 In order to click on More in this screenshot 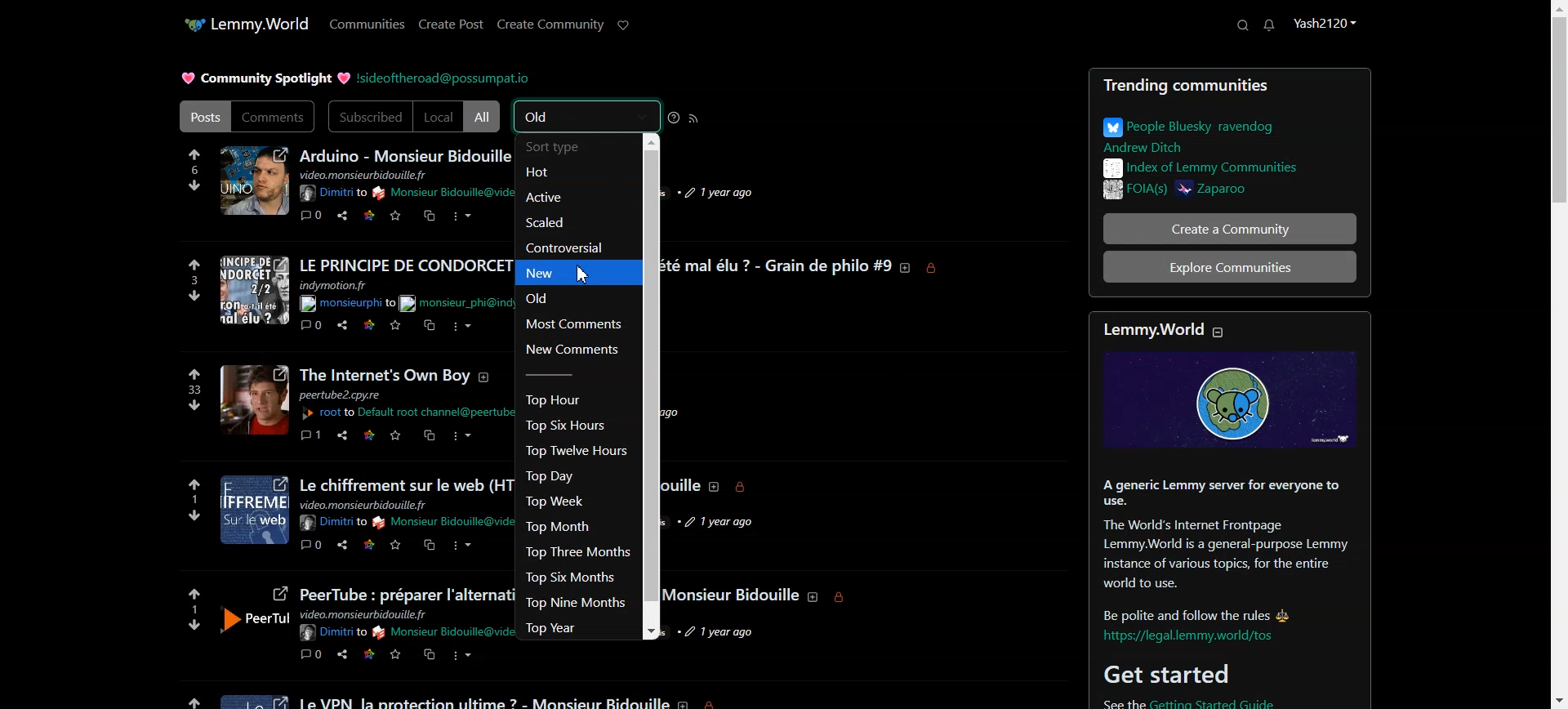, I will do `click(461, 216)`.